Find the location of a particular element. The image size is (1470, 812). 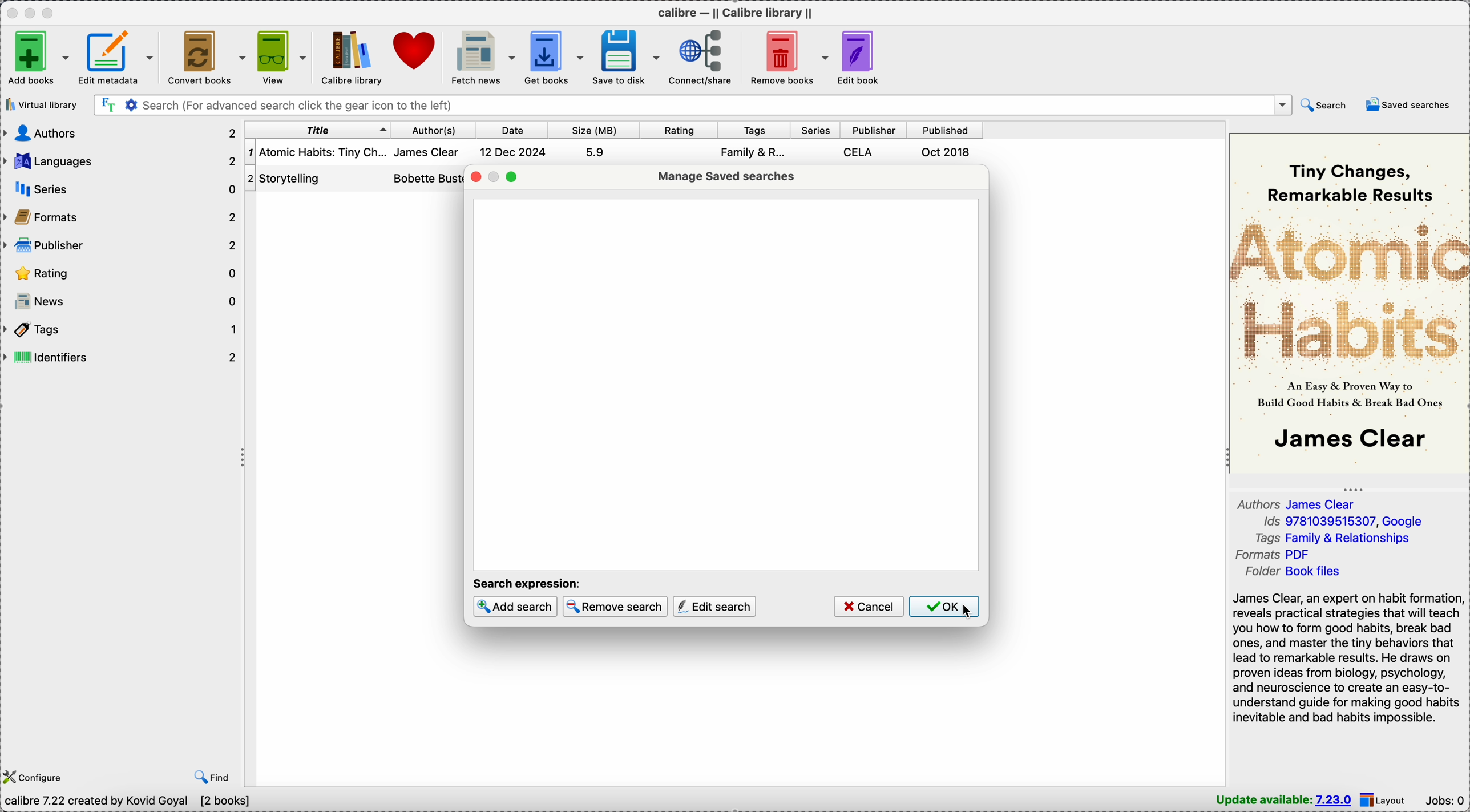

maximize is located at coordinates (512, 176).